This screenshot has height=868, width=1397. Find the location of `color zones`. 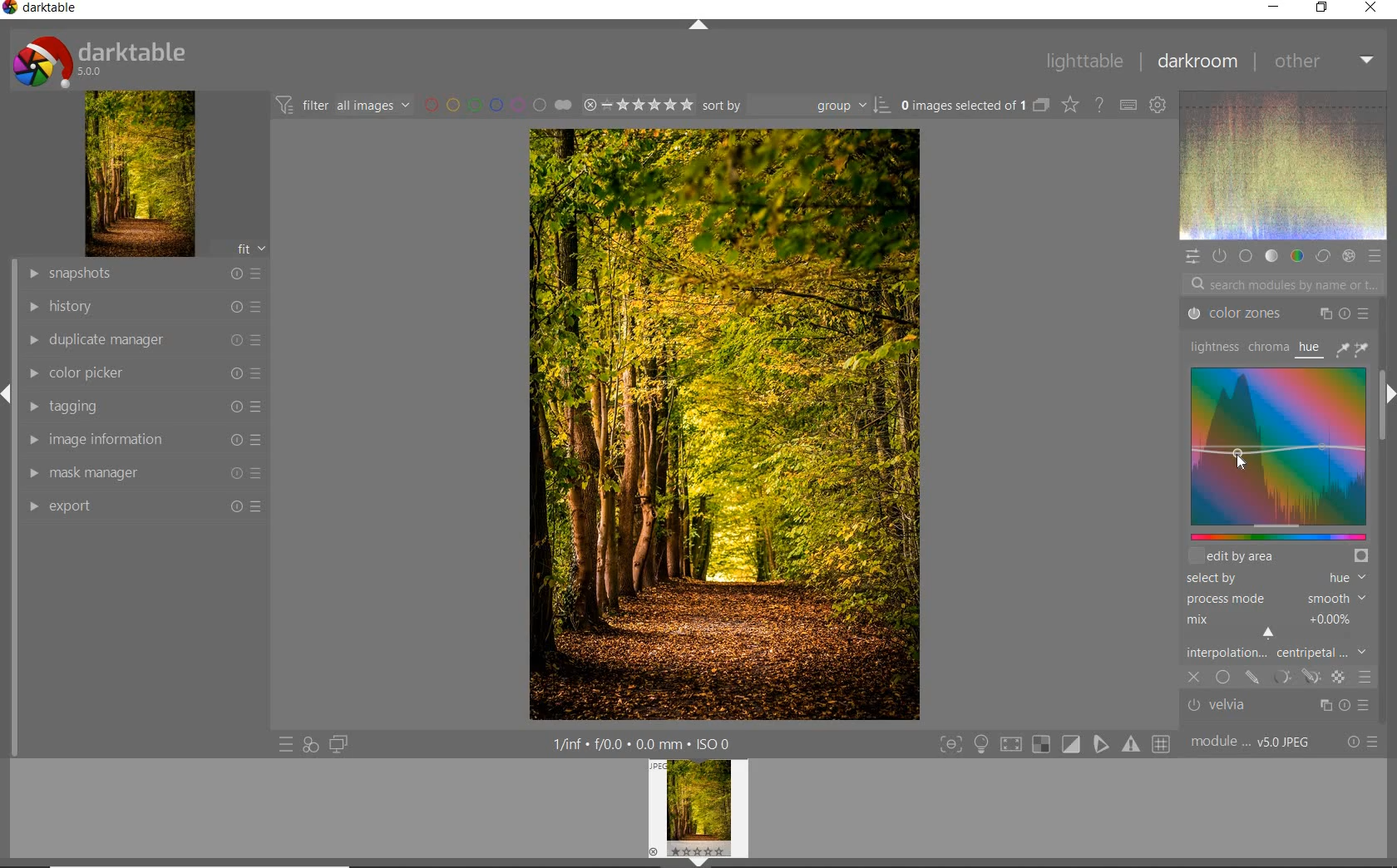

color zones is located at coordinates (1276, 313).